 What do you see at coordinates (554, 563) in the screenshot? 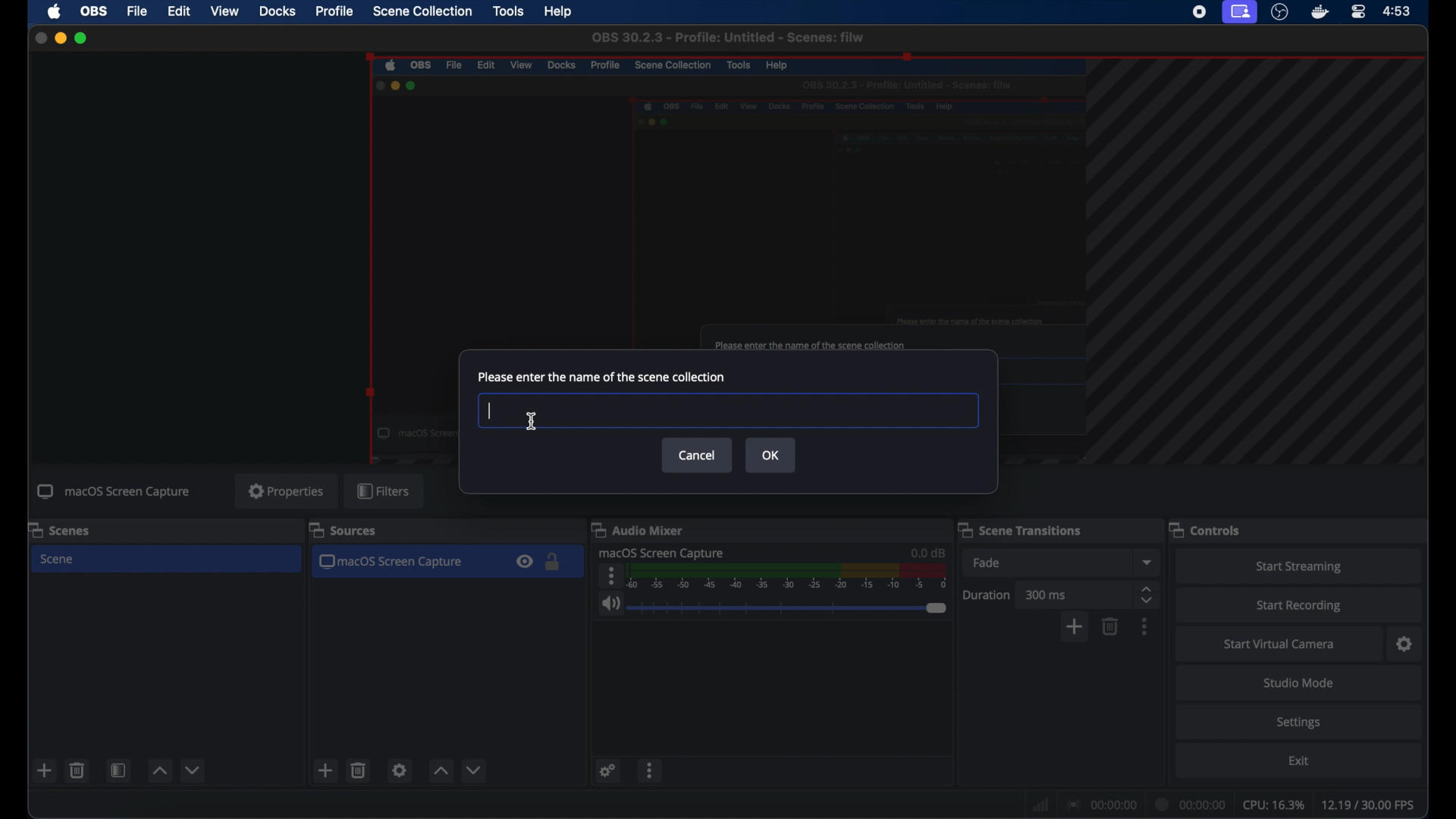
I see `lock` at bounding box center [554, 563].